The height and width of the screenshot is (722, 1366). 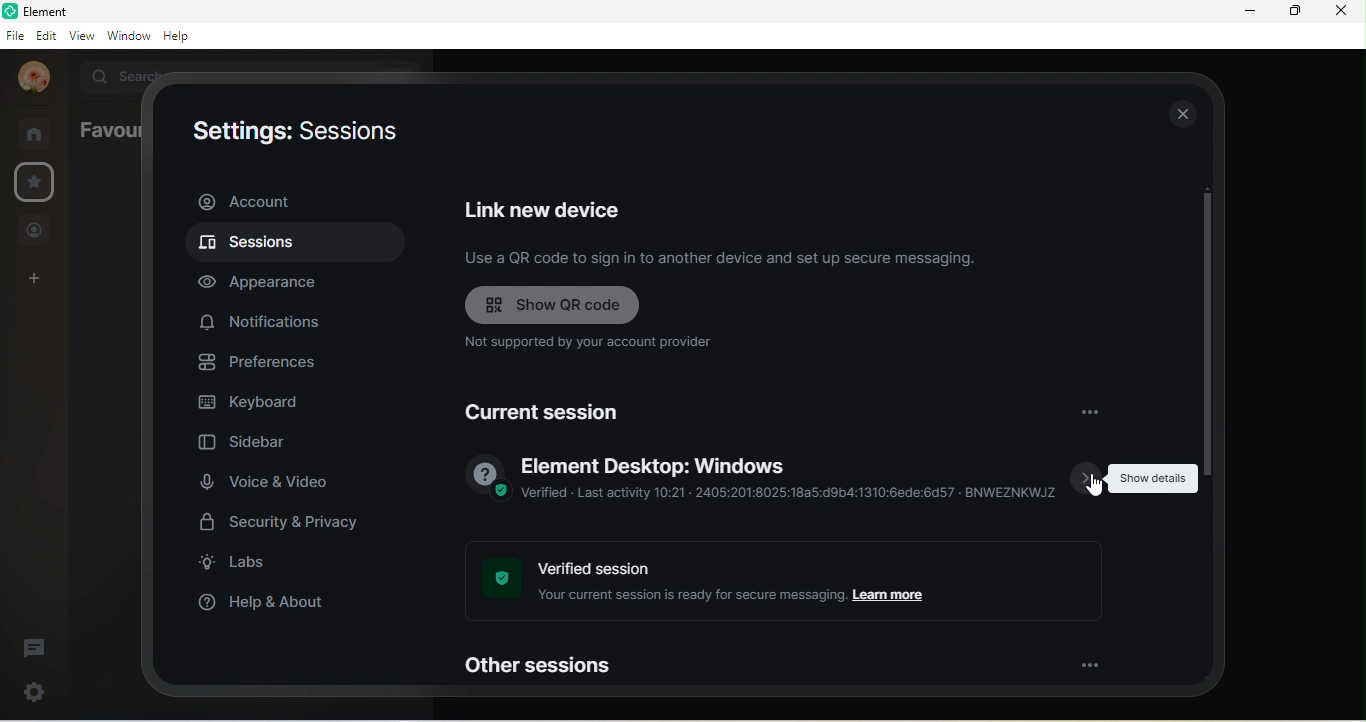 What do you see at coordinates (598, 565) in the screenshot?
I see `verified session` at bounding box center [598, 565].